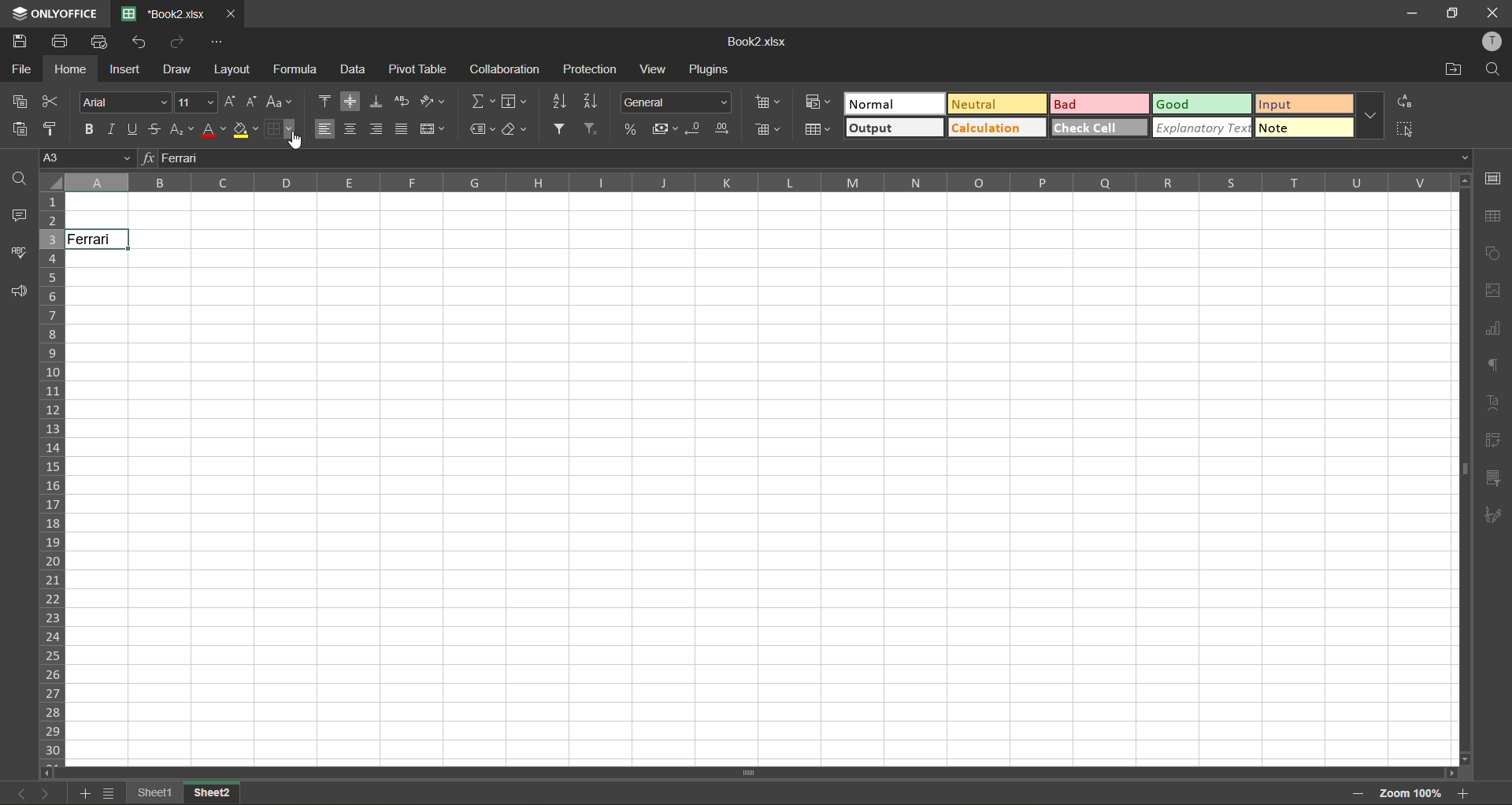 This screenshot has height=805, width=1512. I want to click on home, so click(71, 69).